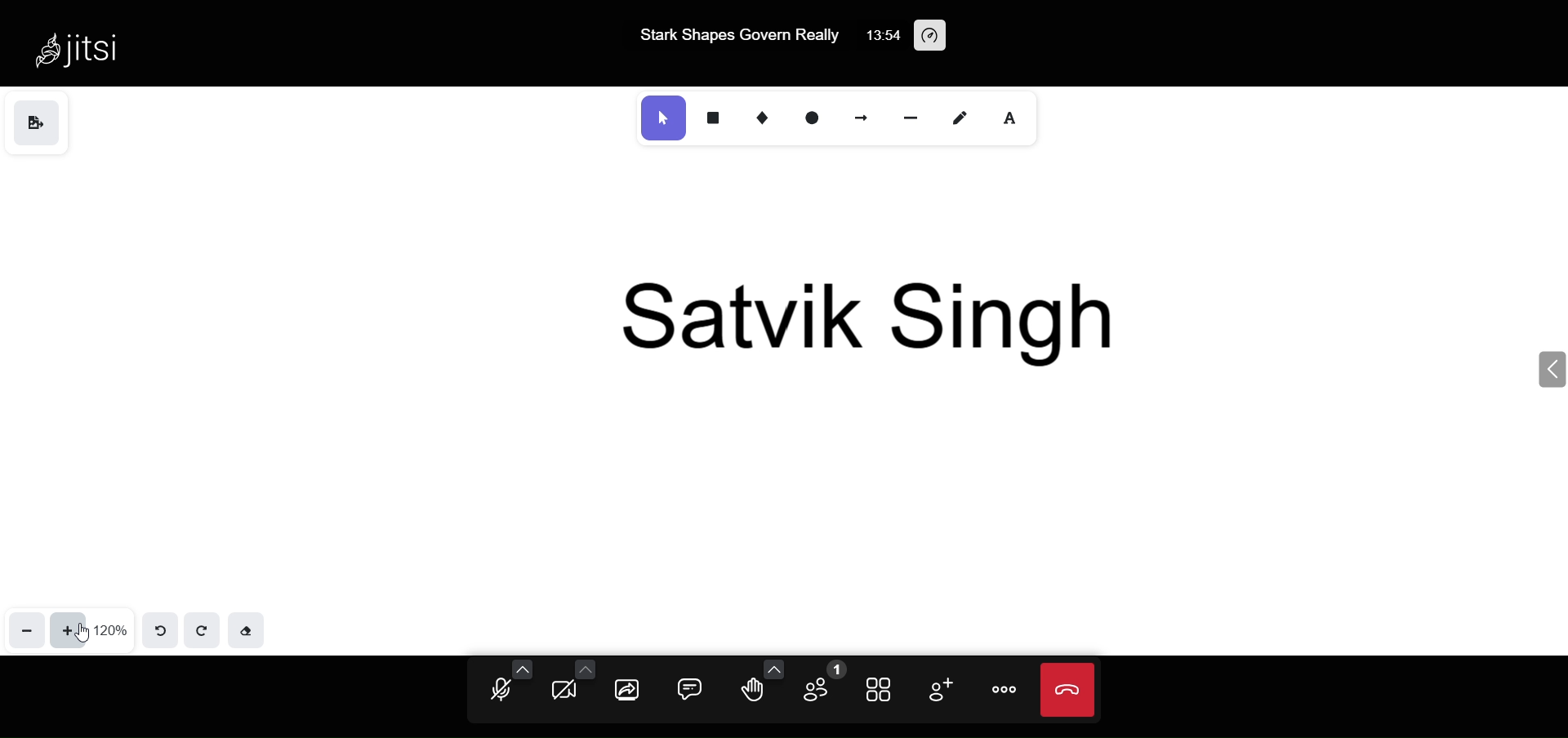  What do you see at coordinates (736, 33) in the screenshot?
I see `Stark Shapes Govern Really` at bounding box center [736, 33].